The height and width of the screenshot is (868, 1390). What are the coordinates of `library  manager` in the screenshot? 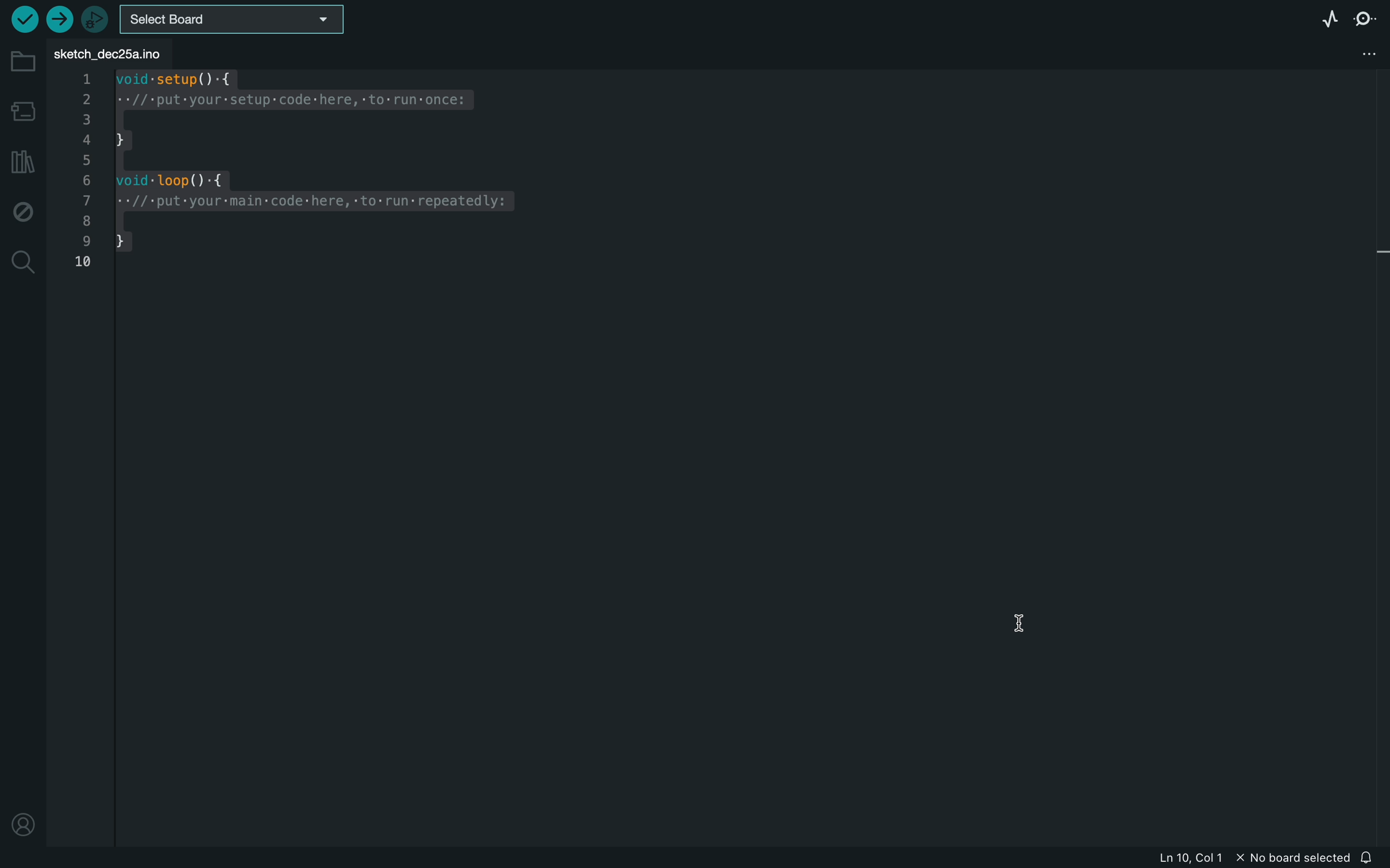 It's located at (22, 161).